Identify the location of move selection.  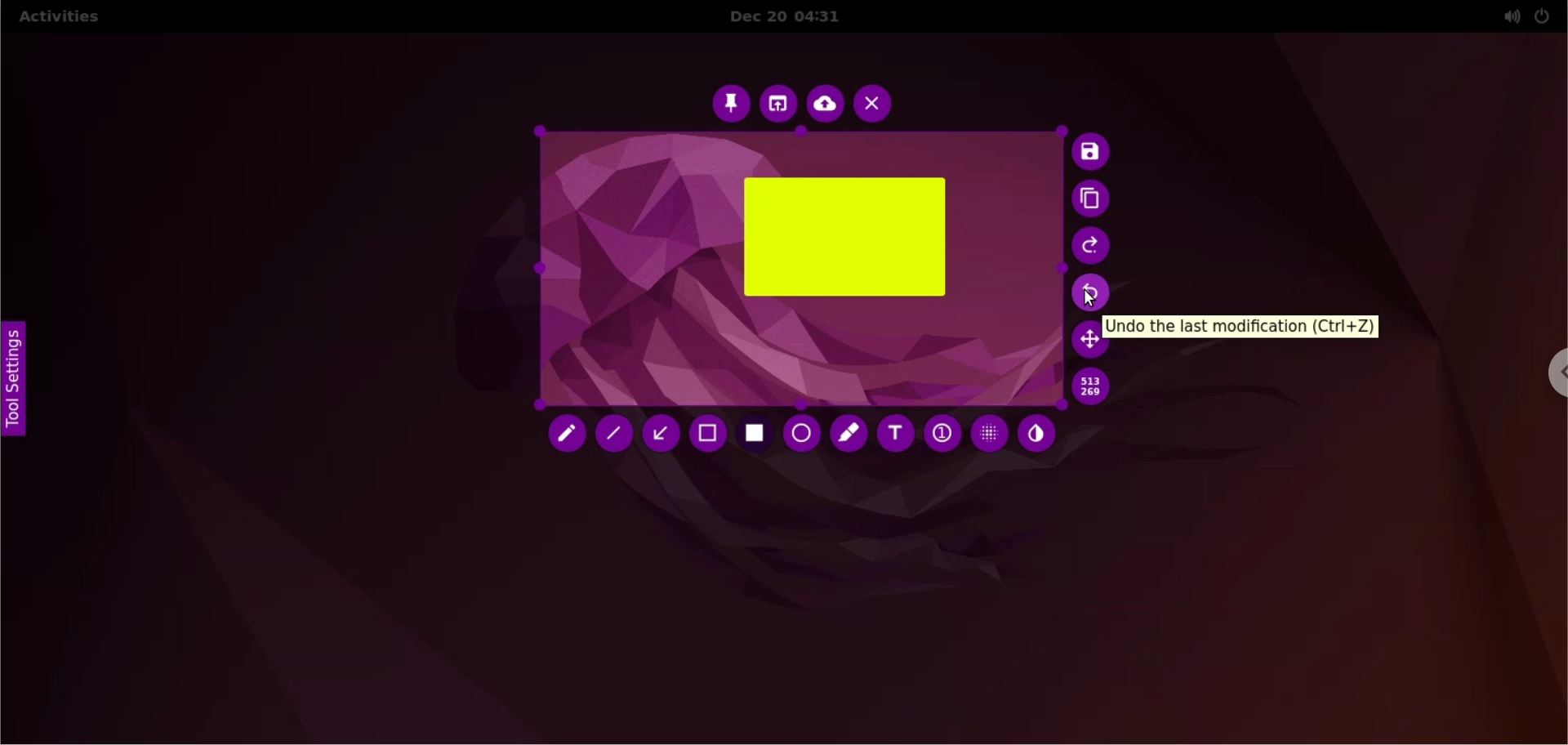
(1084, 340).